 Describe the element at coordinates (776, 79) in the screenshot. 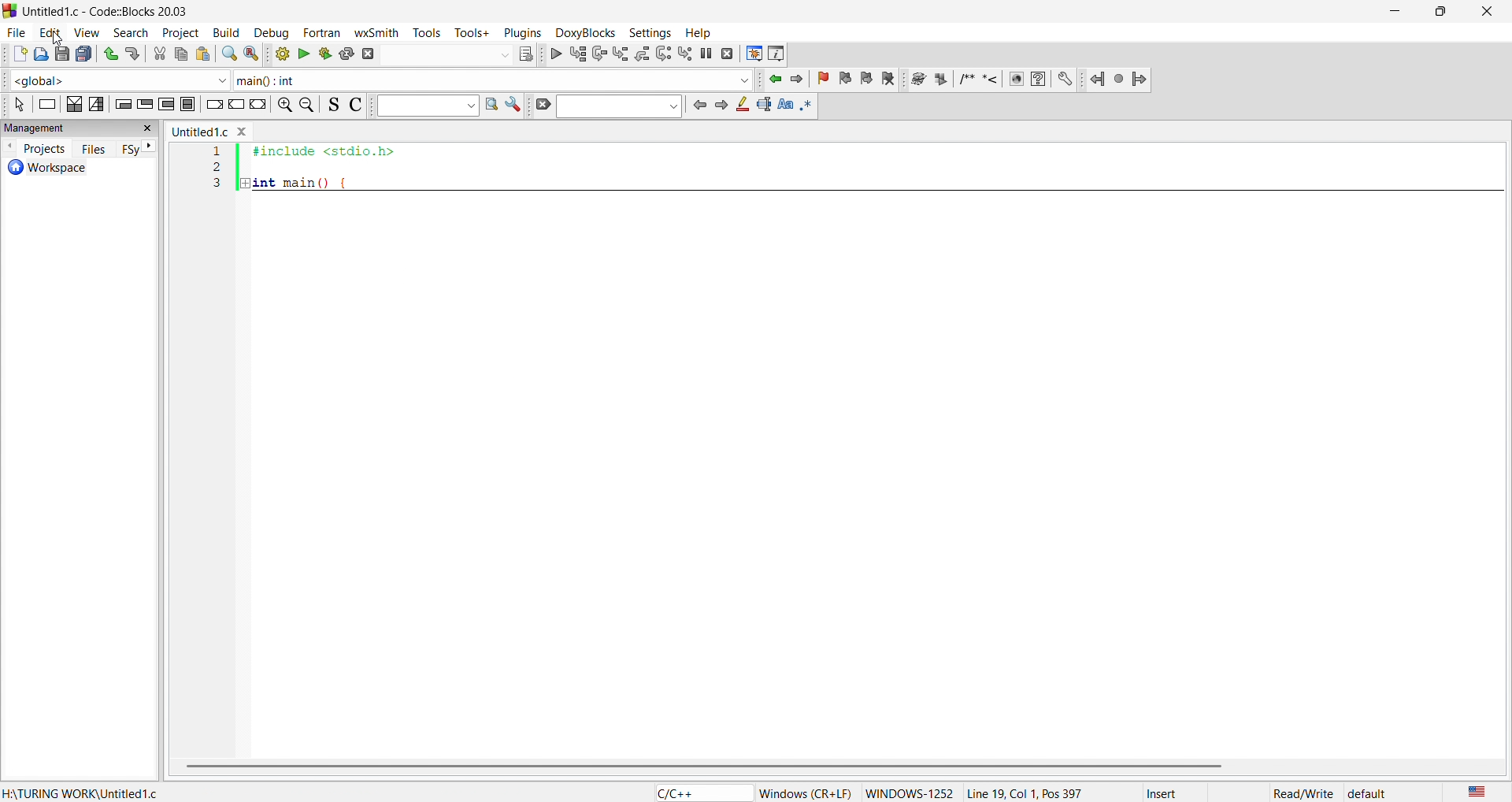

I see `jump backward` at that location.